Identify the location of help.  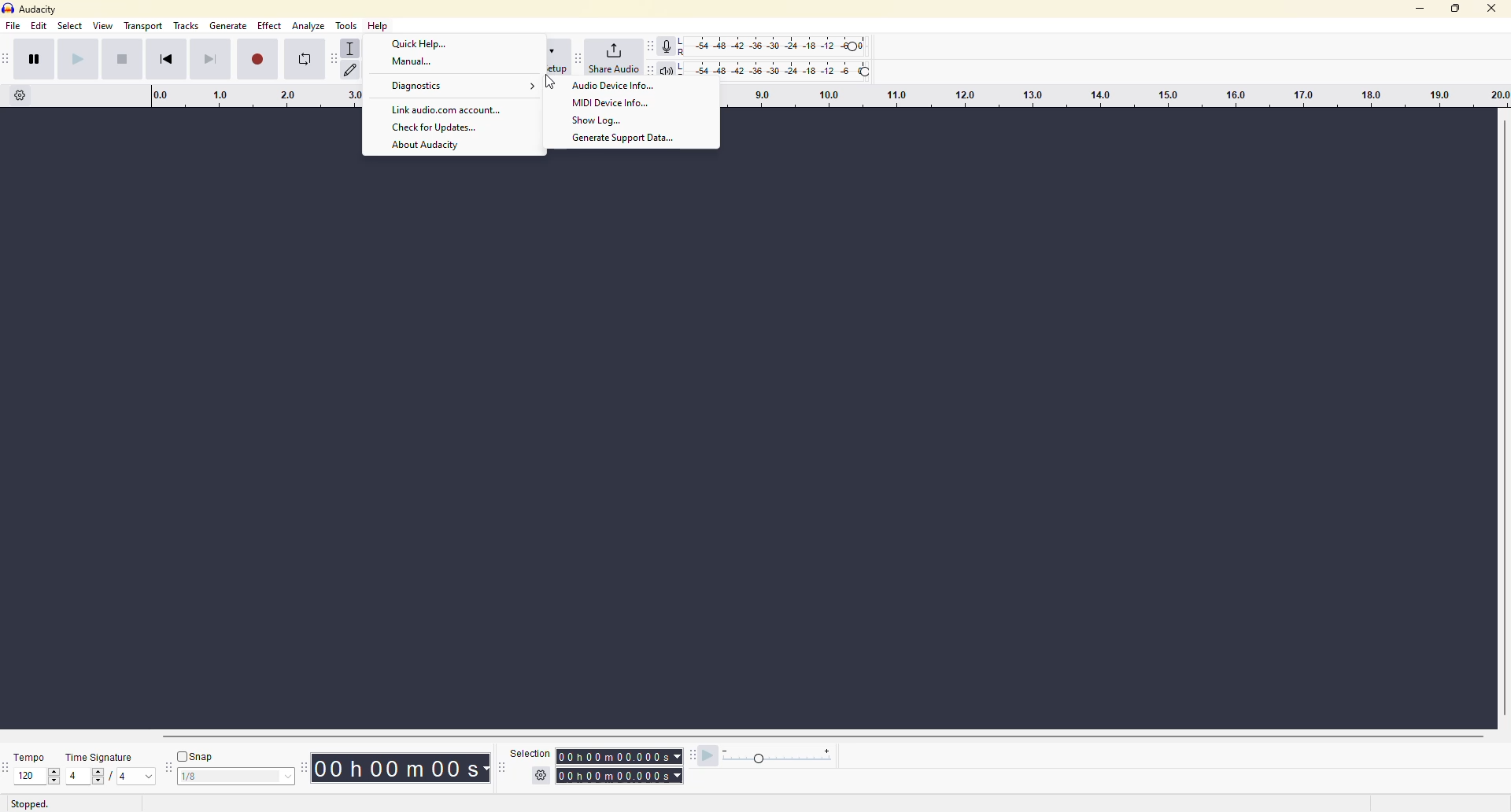
(380, 27).